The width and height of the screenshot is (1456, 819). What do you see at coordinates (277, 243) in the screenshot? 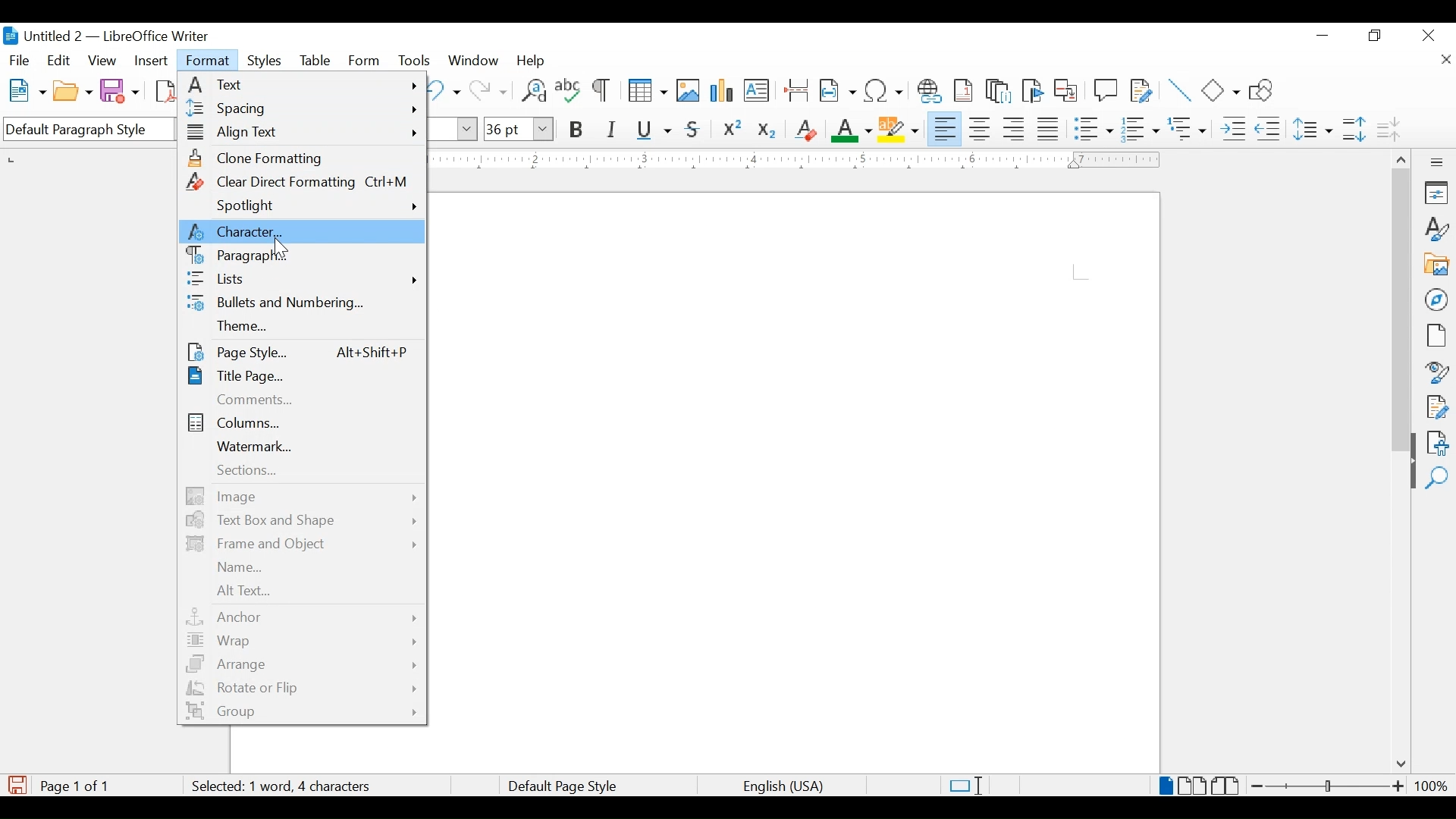
I see `cursor` at bounding box center [277, 243].